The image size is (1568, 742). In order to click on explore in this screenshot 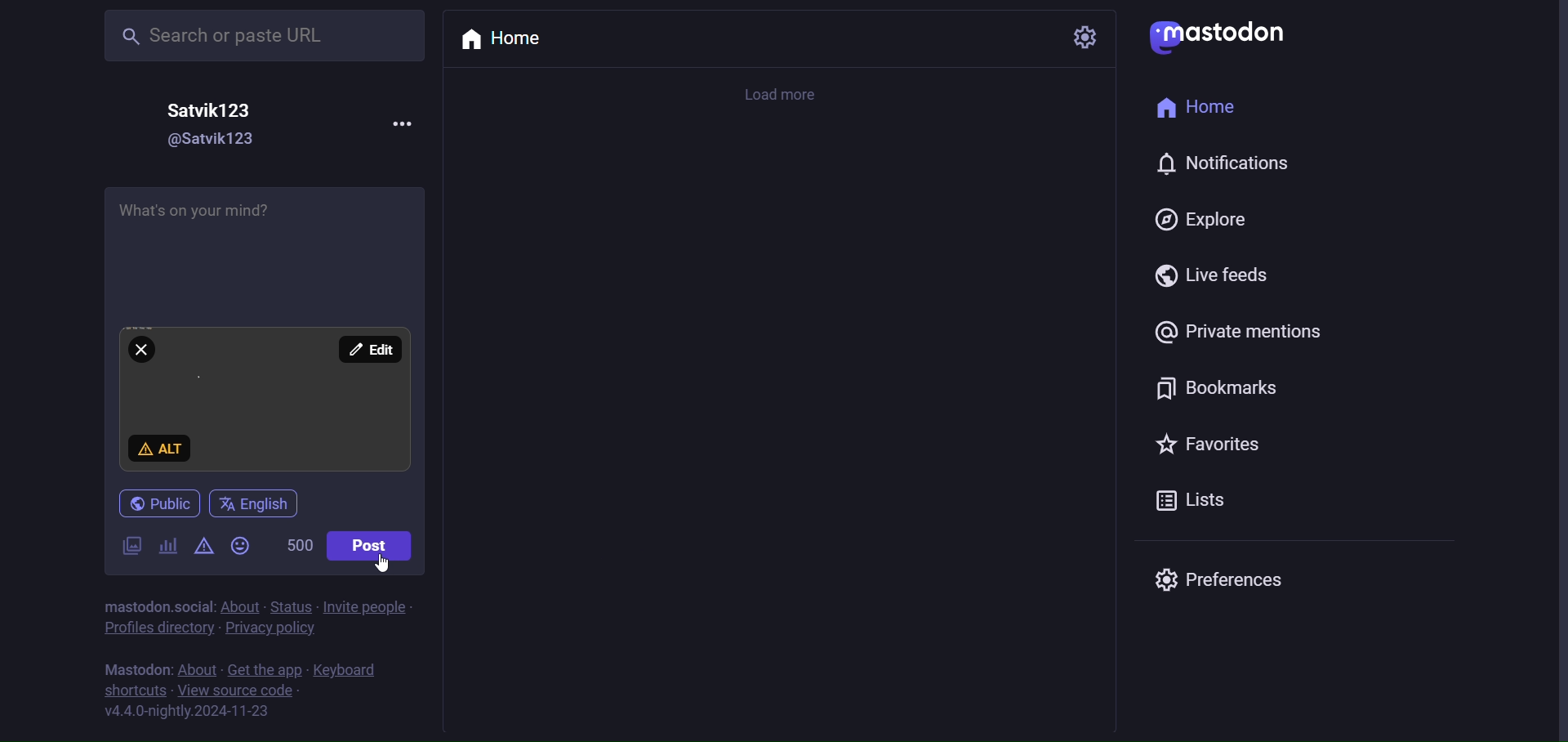, I will do `click(1196, 221)`.